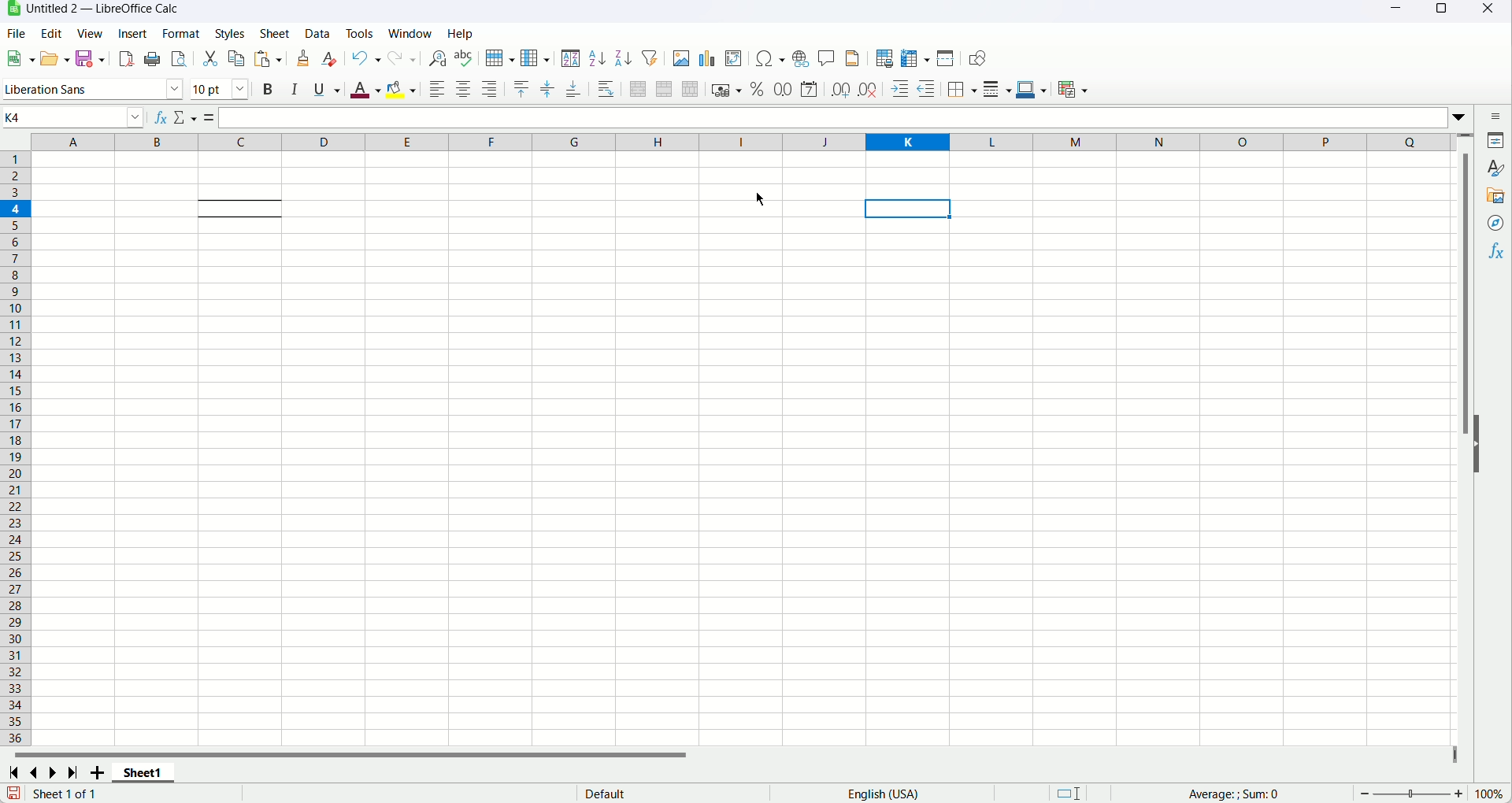 The height and width of the screenshot is (803, 1512). What do you see at coordinates (915, 58) in the screenshot?
I see `Freeze rows and column` at bounding box center [915, 58].